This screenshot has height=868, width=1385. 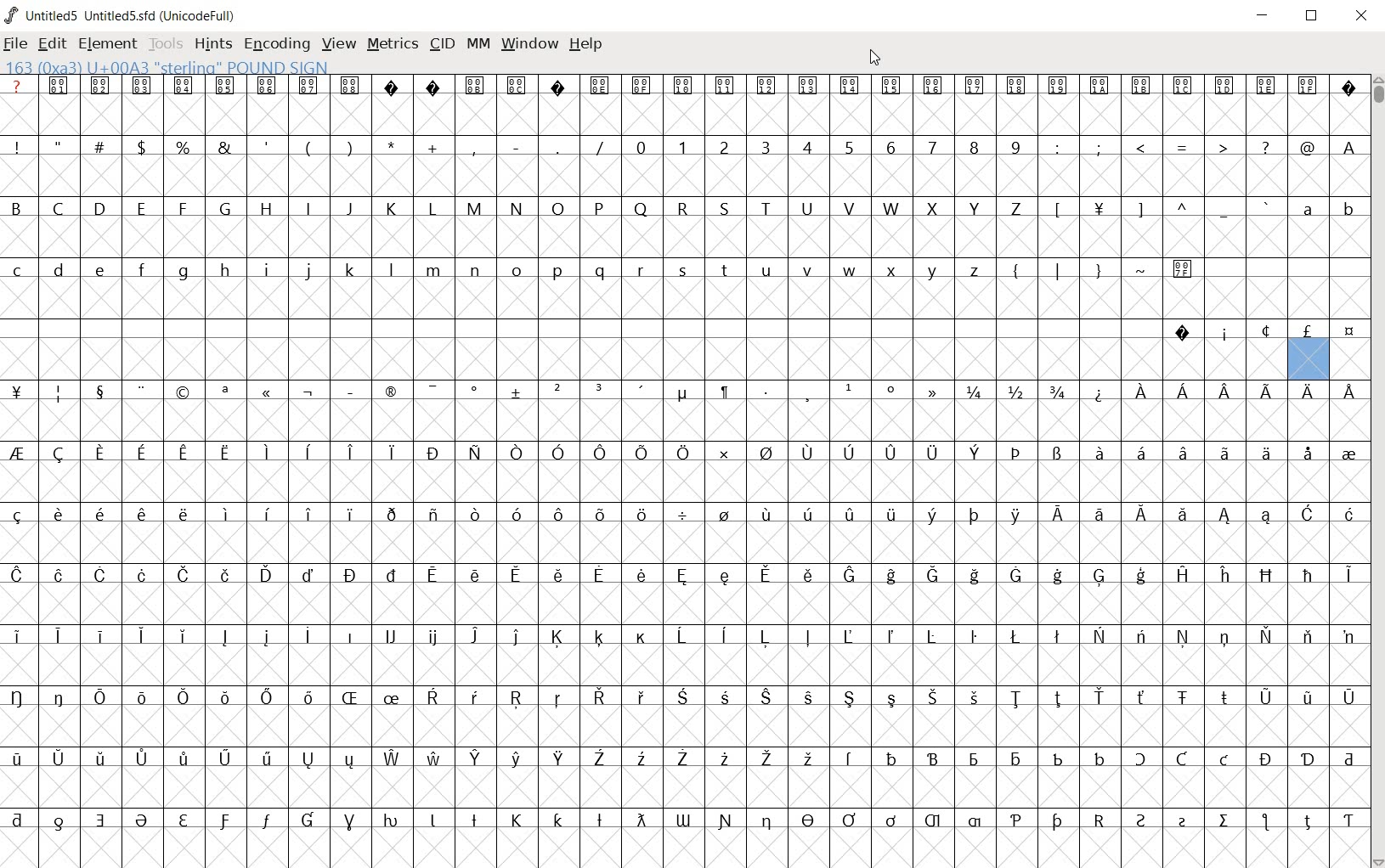 What do you see at coordinates (348, 208) in the screenshot?
I see `J` at bounding box center [348, 208].